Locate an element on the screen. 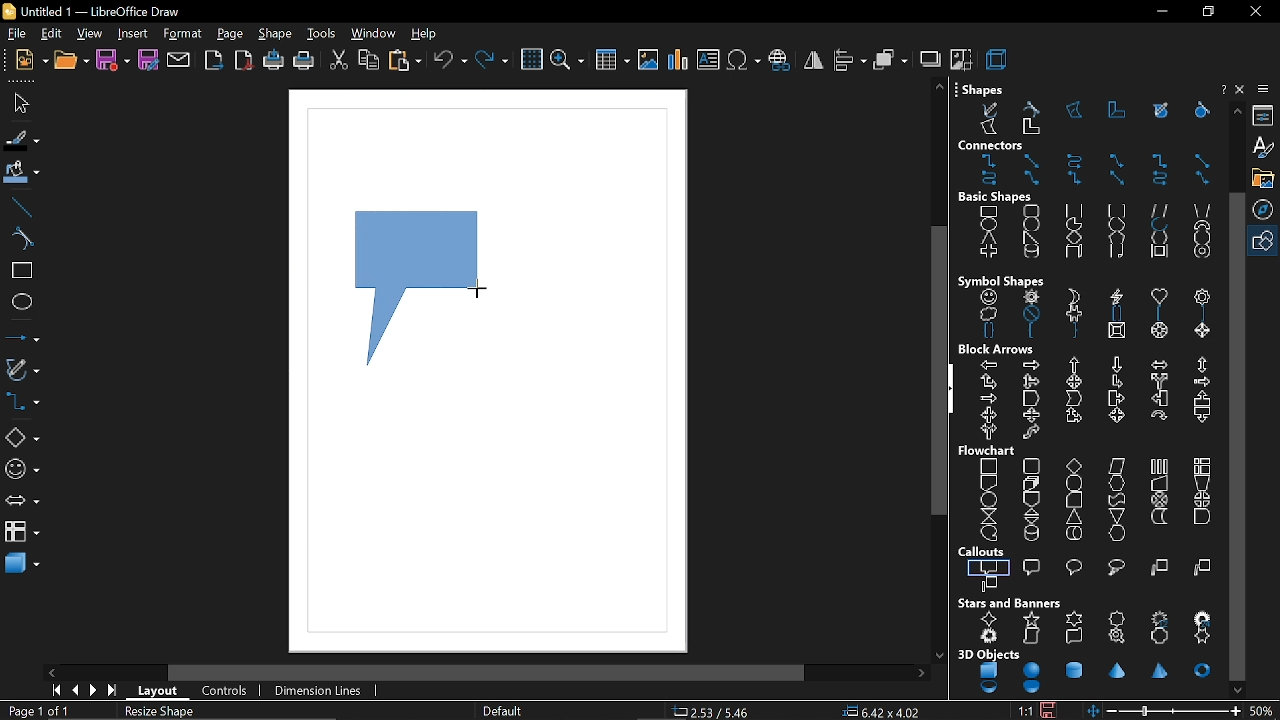 The height and width of the screenshot is (720, 1280). double brace is located at coordinates (988, 332).